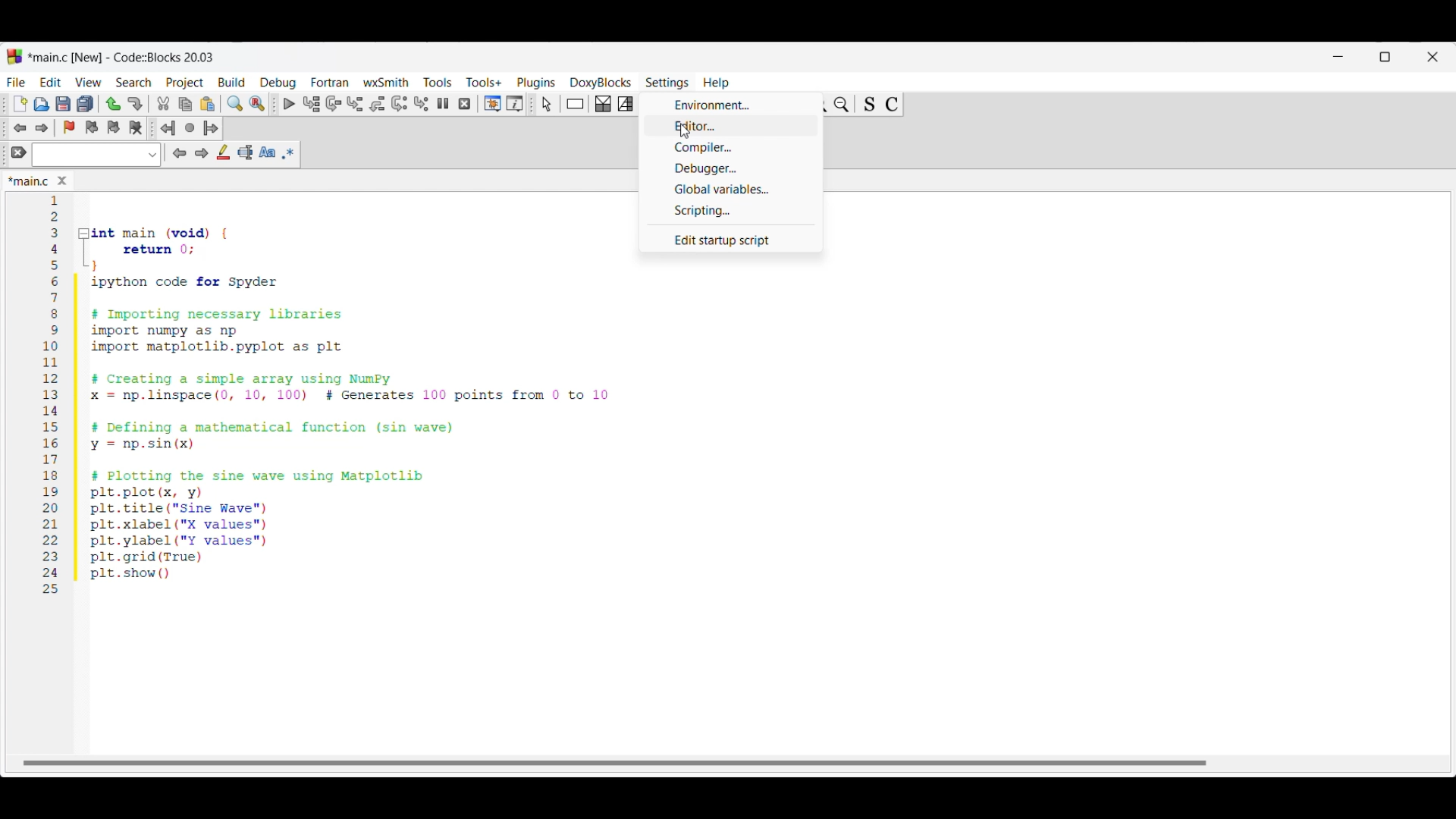  What do you see at coordinates (355, 104) in the screenshot?
I see `Step into` at bounding box center [355, 104].